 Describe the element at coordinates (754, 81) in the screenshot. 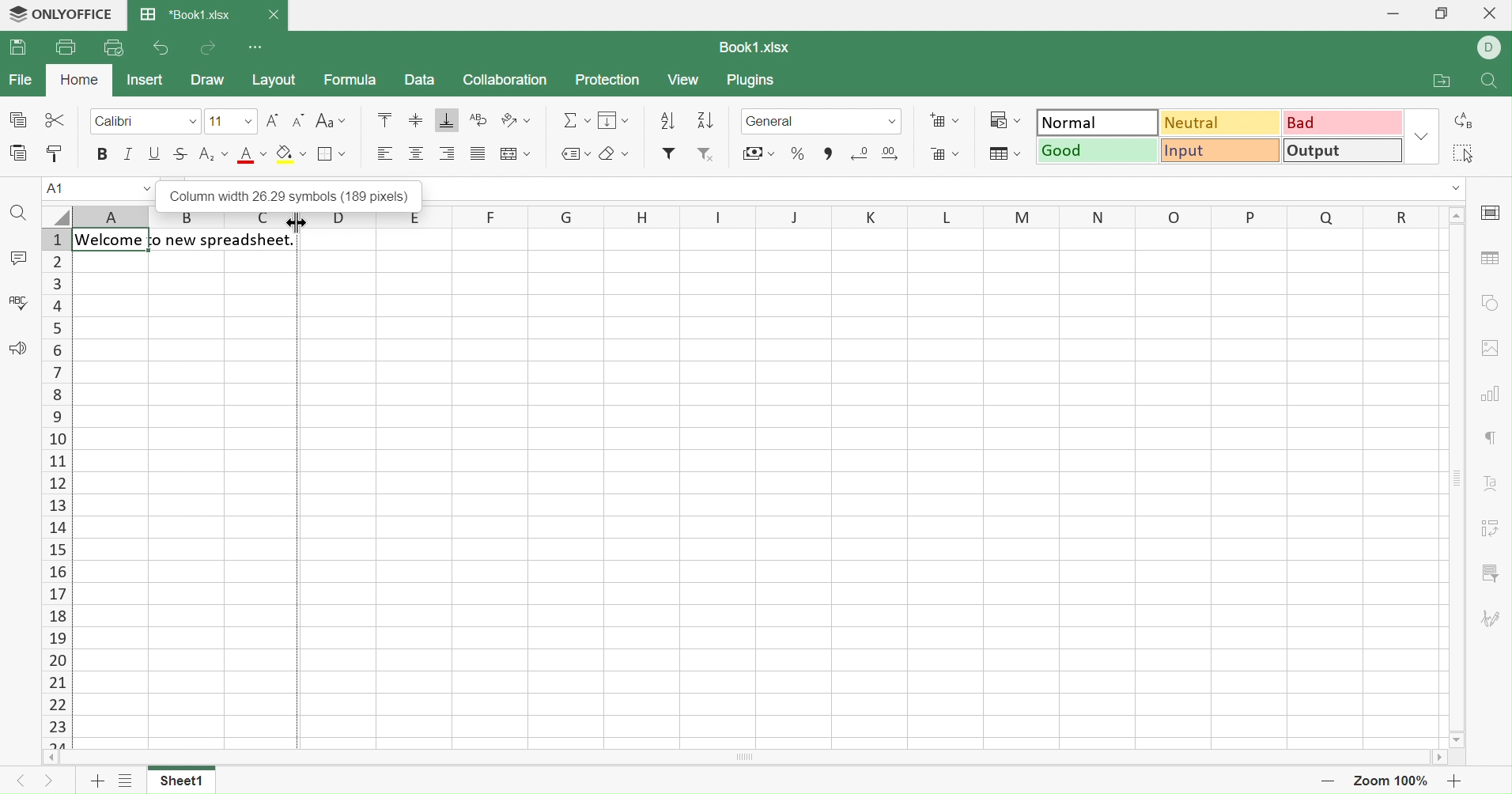

I see `Plugins` at that location.